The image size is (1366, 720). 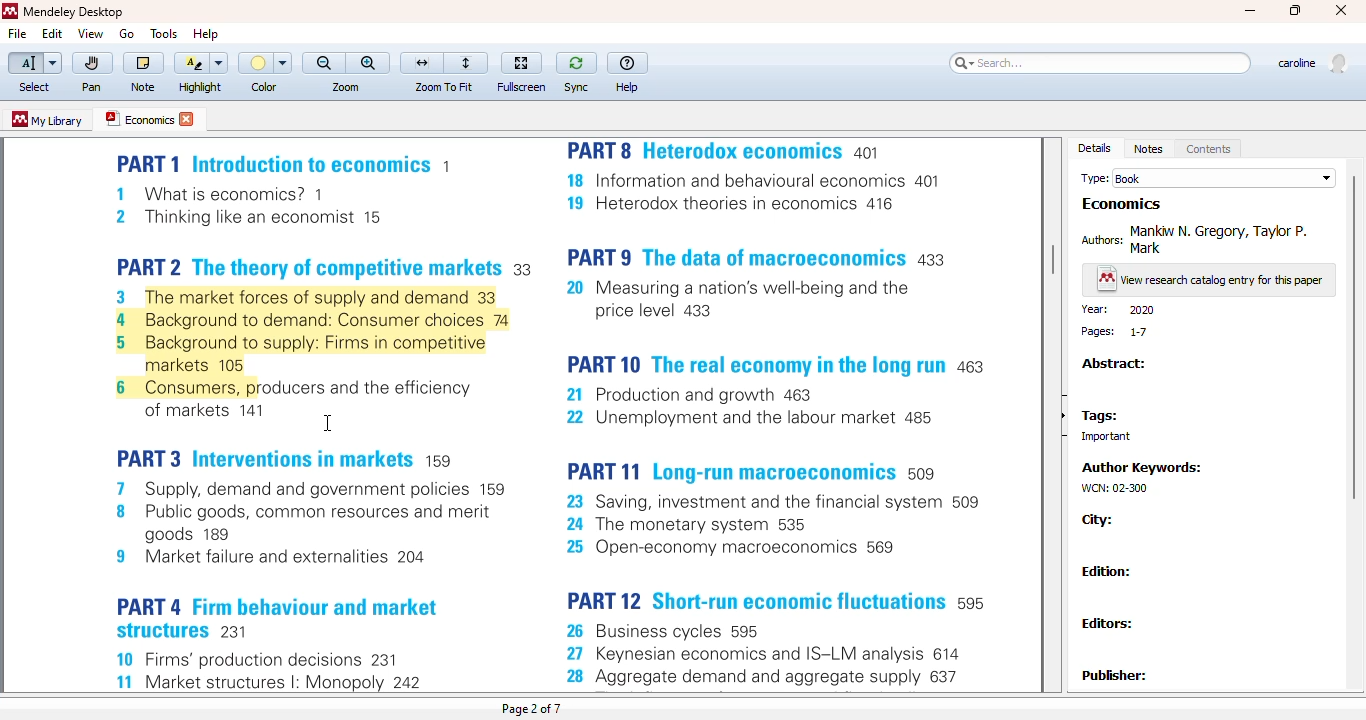 I want to click on economics, so click(x=1122, y=204).